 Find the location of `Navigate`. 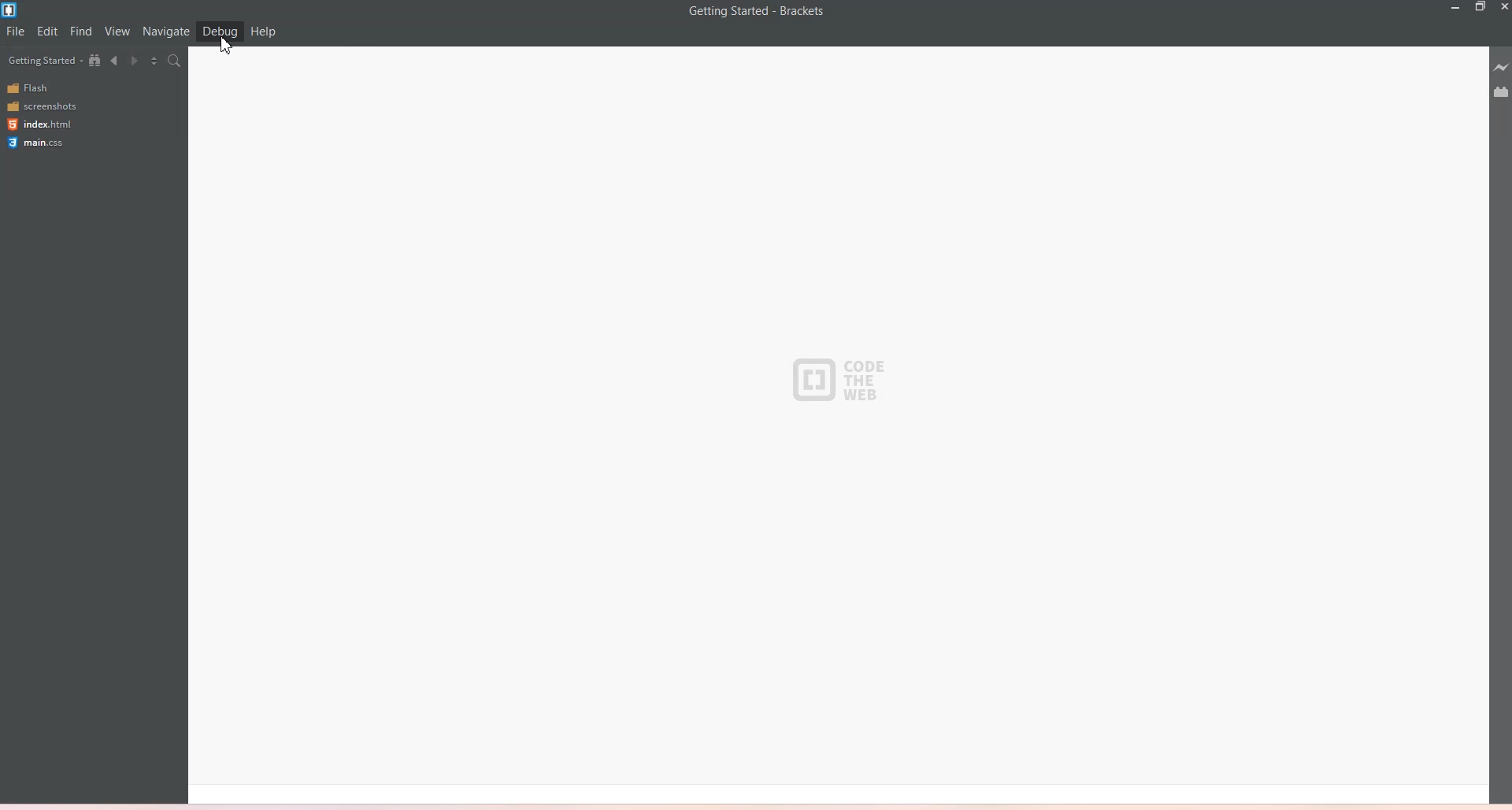

Navigate is located at coordinates (166, 32).